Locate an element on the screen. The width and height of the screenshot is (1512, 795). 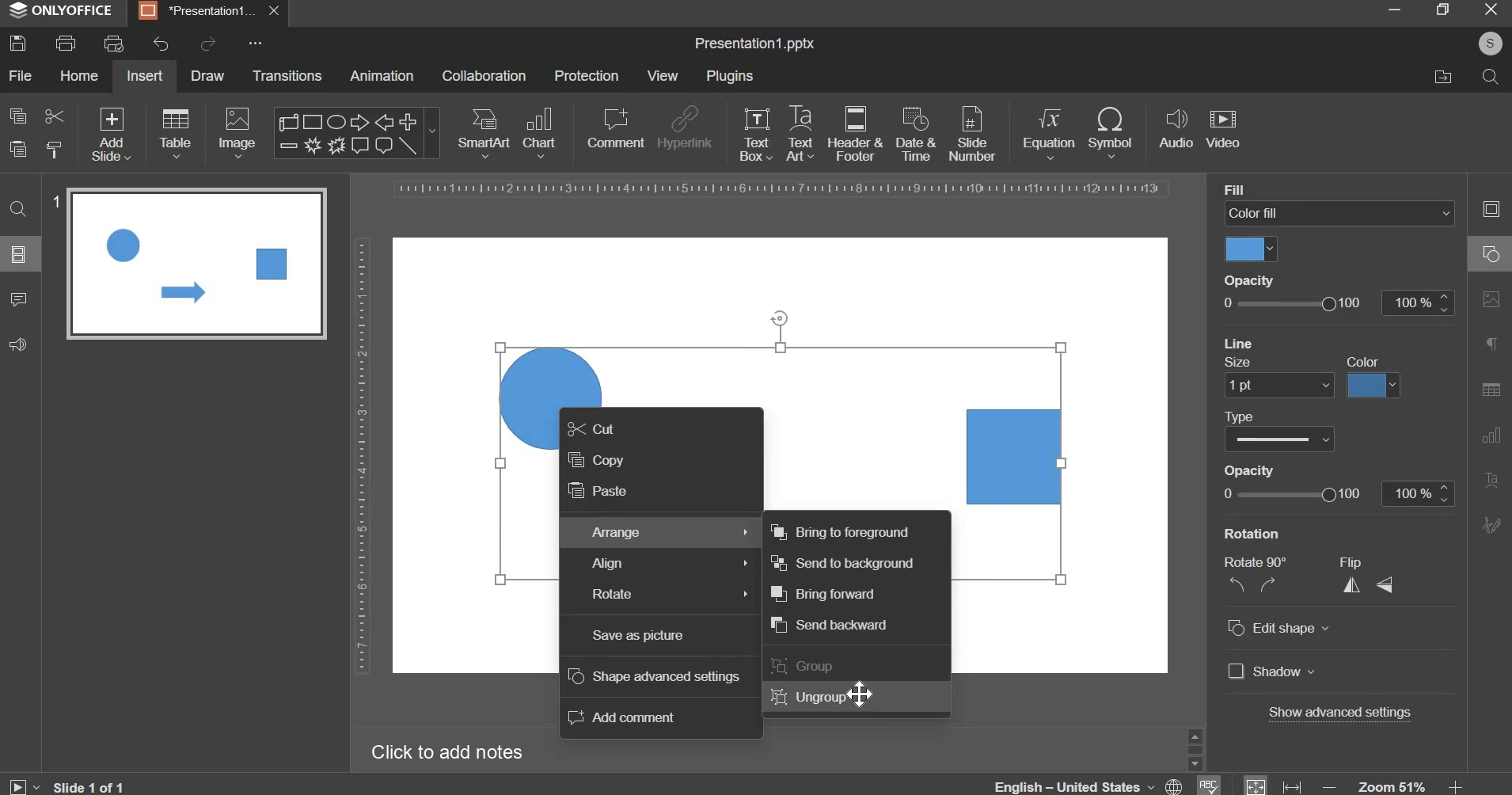
search is located at coordinates (1489, 75).